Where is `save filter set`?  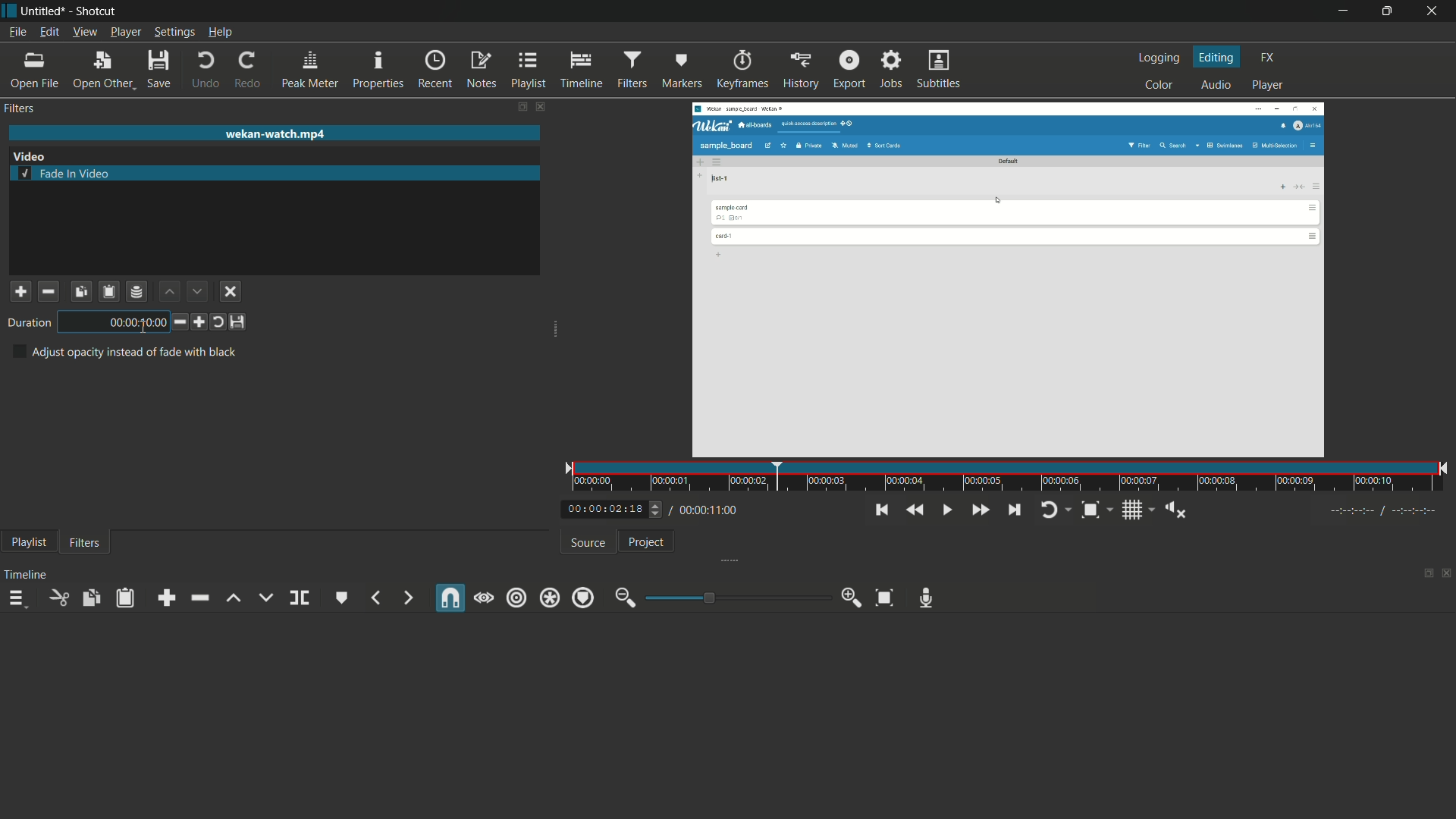 save filter set is located at coordinates (138, 291).